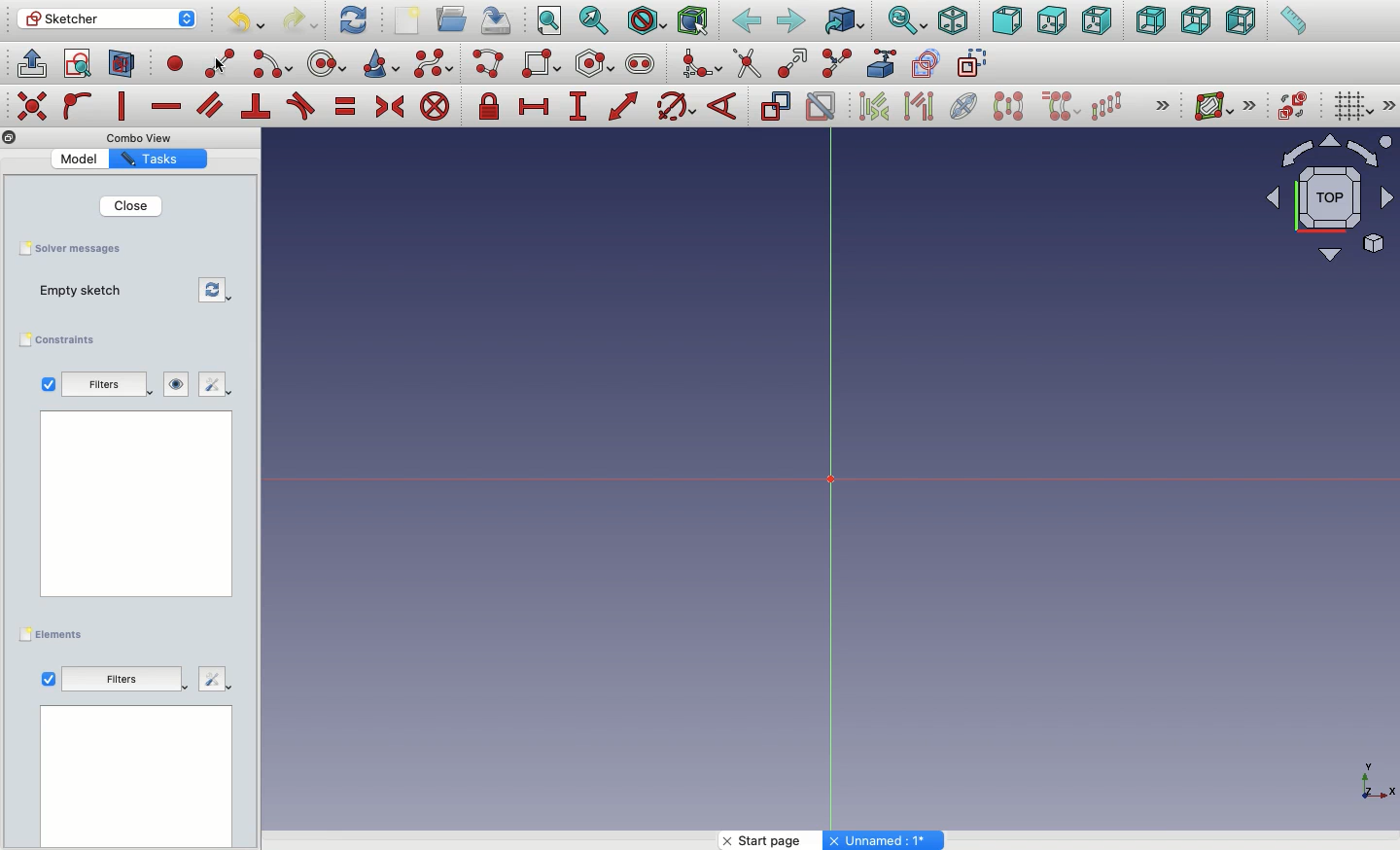 The image size is (1400, 850). What do you see at coordinates (108, 19) in the screenshot?
I see `Sketcher` at bounding box center [108, 19].